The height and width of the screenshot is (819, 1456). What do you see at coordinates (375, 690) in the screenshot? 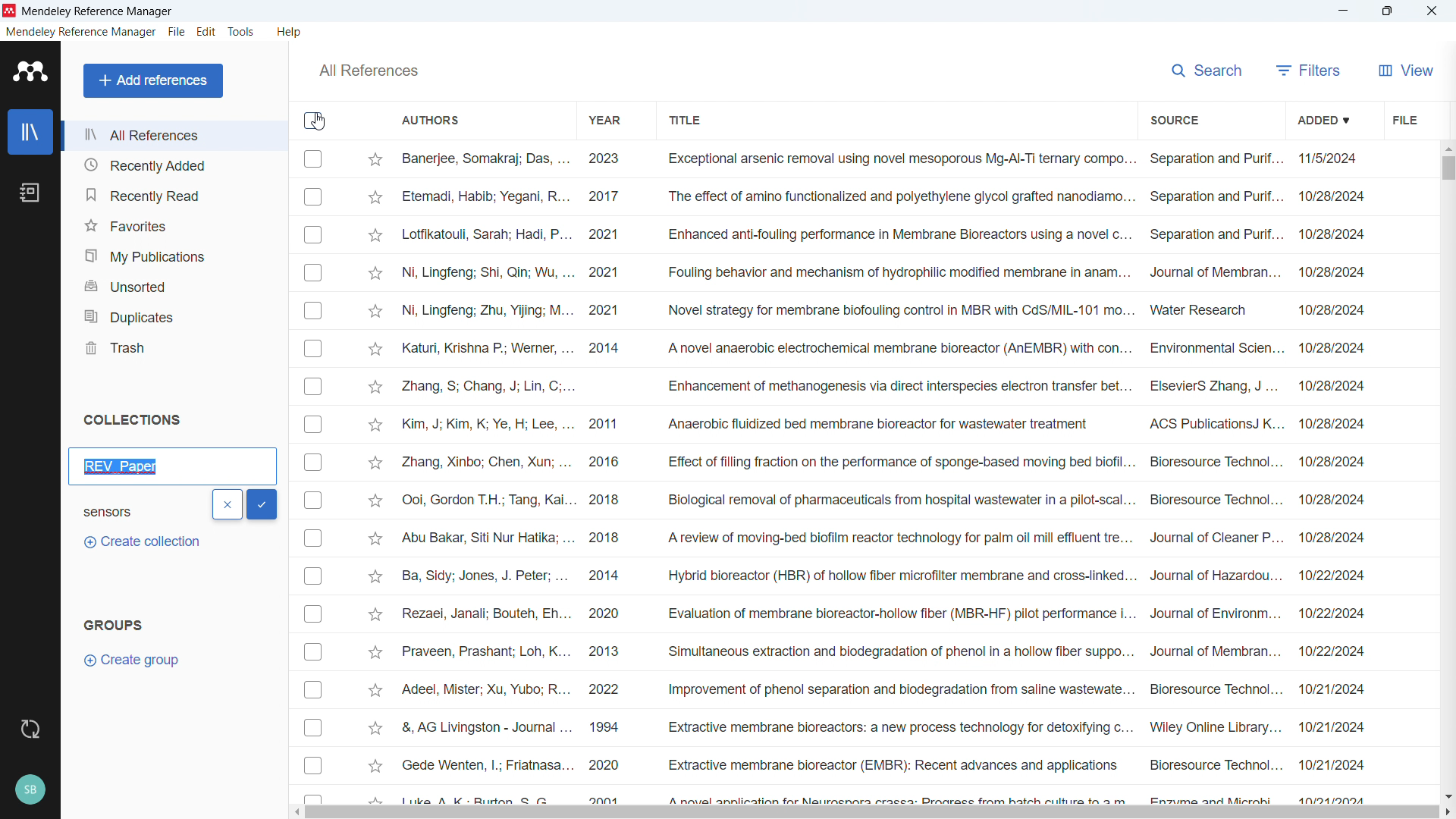
I see `Star mark respective publication` at bounding box center [375, 690].